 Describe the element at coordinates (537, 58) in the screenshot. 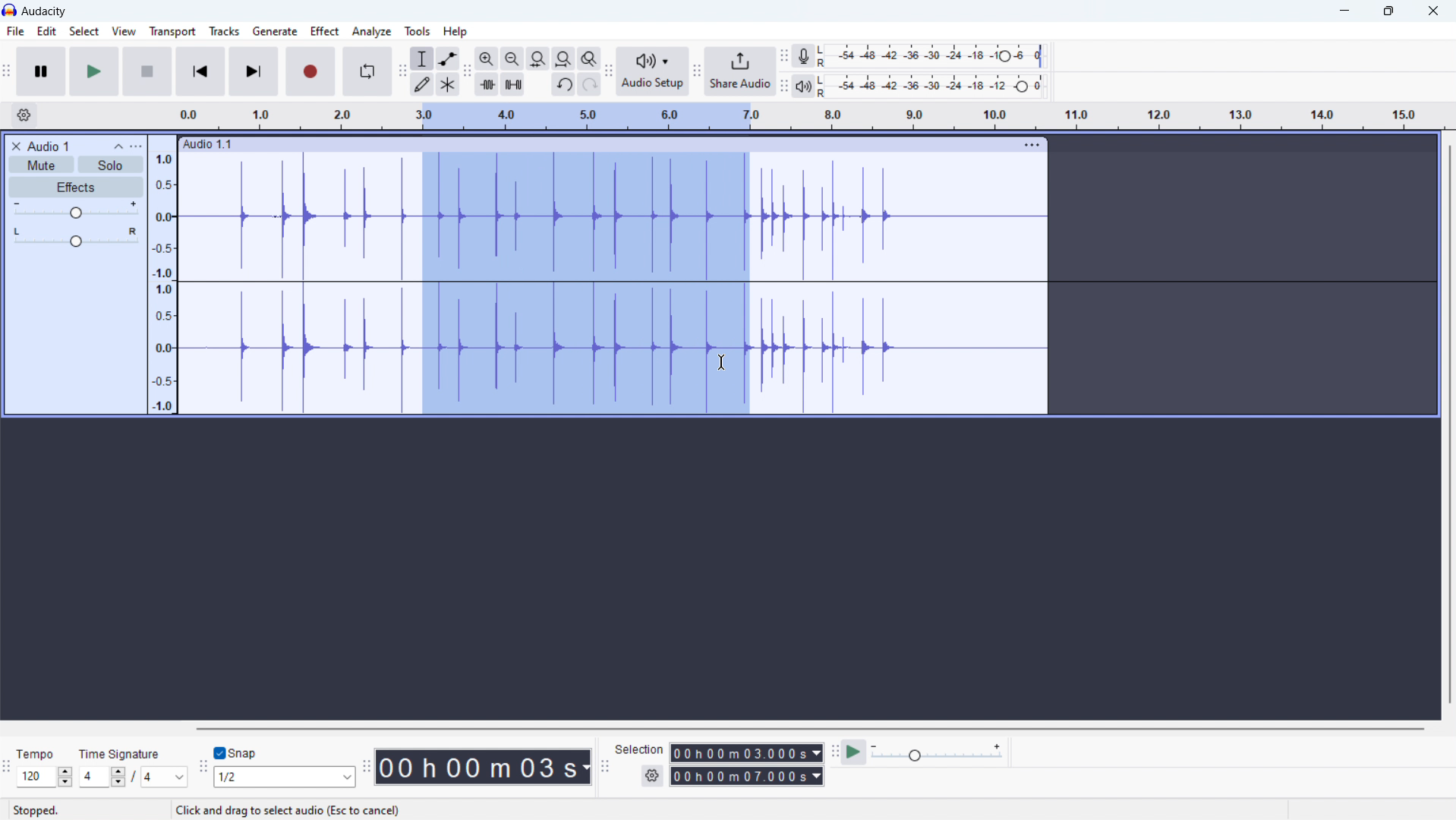

I see `fit selection to width` at that location.